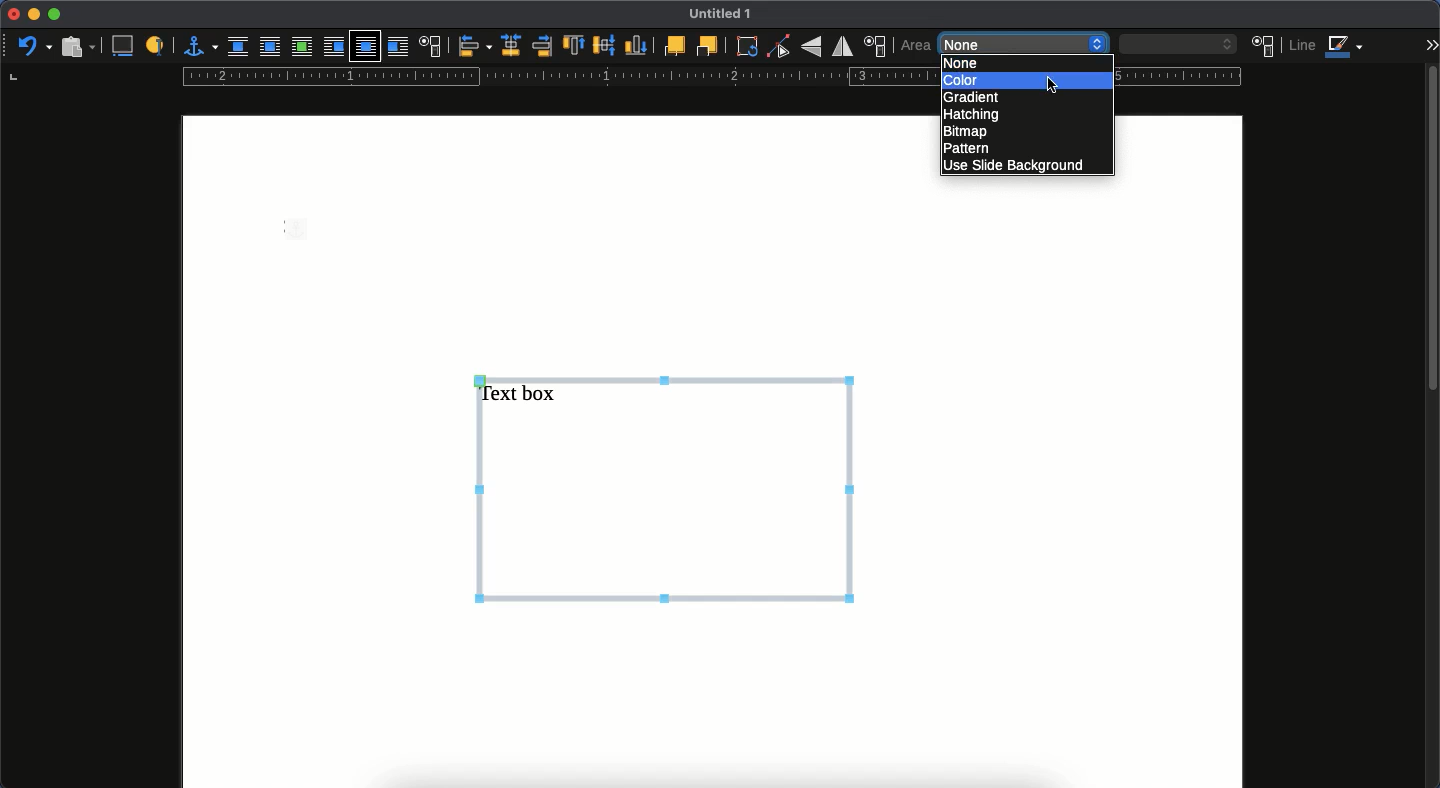 This screenshot has width=1440, height=788. Describe the element at coordinates (541, 47) in the screenshot. I see `right` at that location.